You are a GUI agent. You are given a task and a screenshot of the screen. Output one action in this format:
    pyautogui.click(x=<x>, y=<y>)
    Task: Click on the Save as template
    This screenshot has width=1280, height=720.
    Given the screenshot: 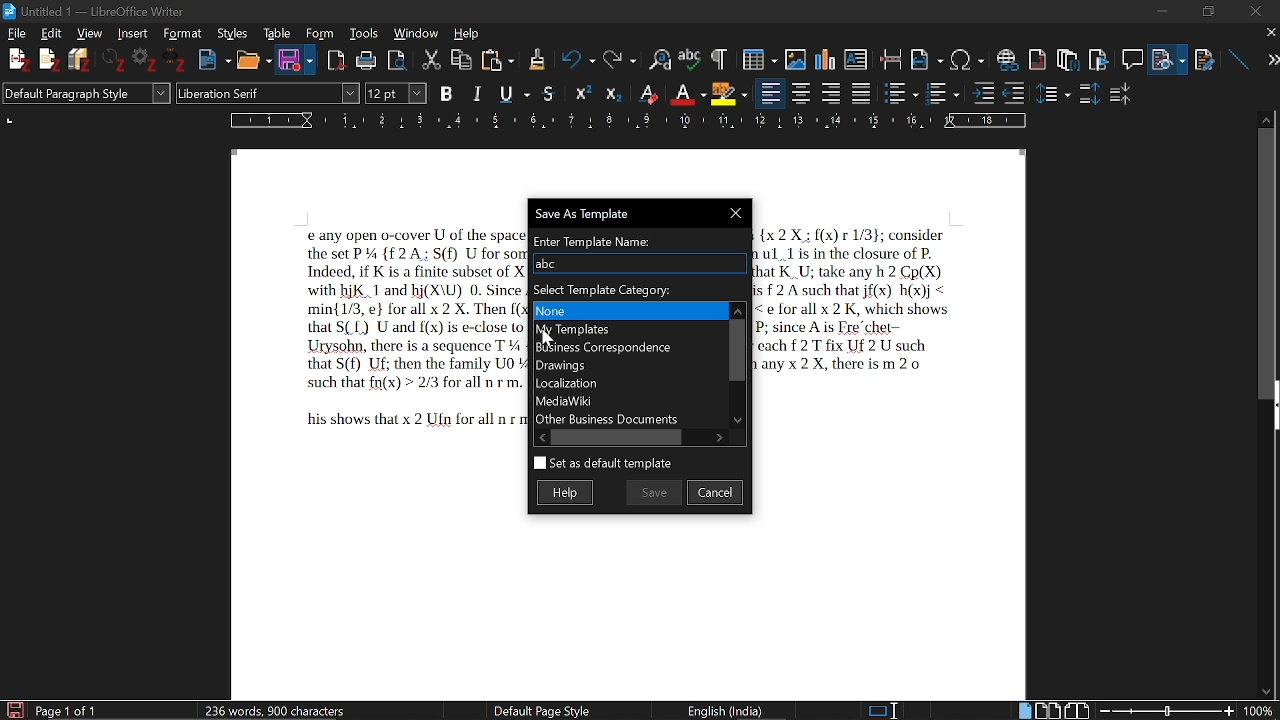 What is the action you would take?
    pyautogui.click(x=635, y=212)
    